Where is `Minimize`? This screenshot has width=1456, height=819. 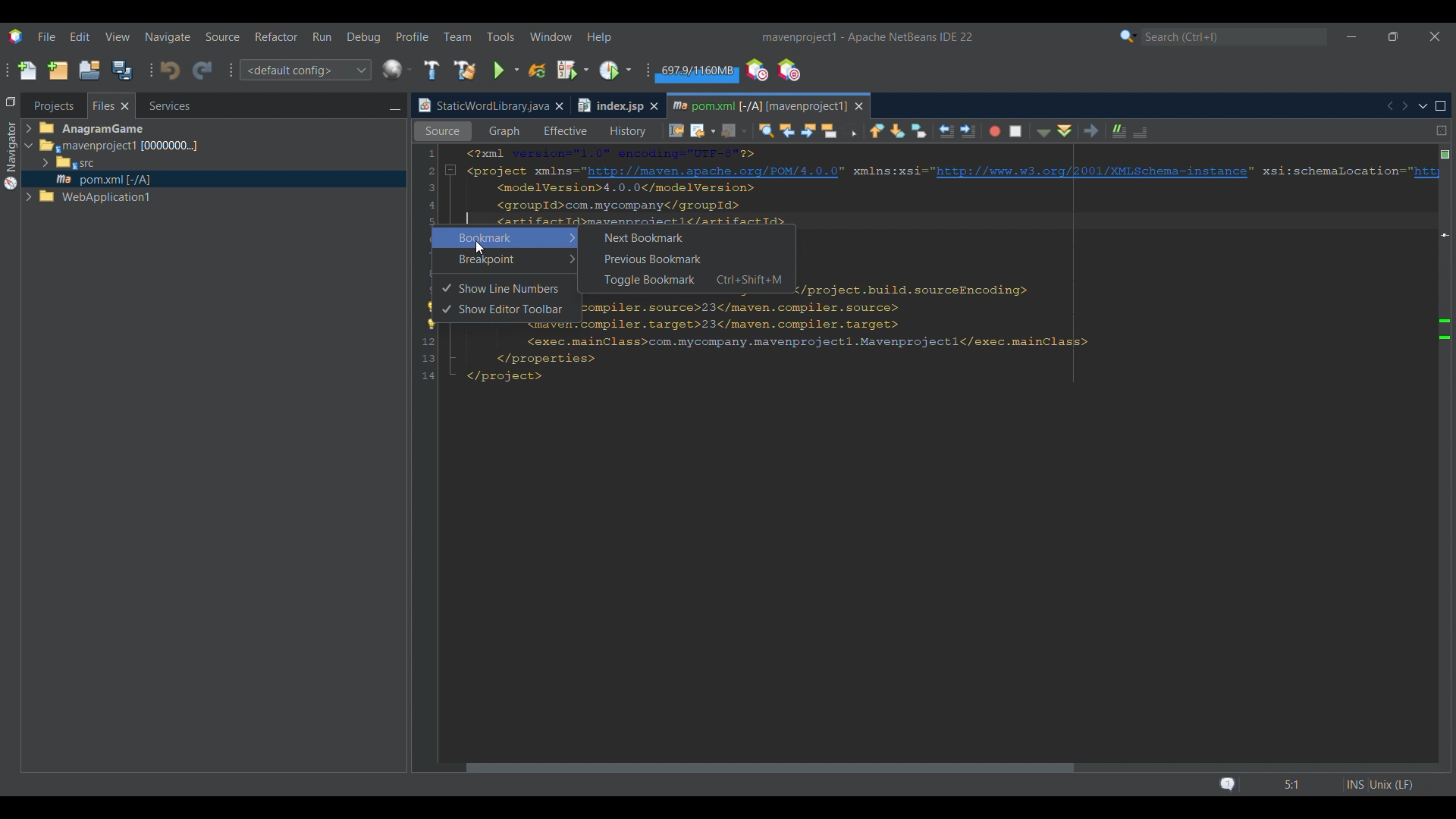
Minimize is located at coordinates (394, 107).